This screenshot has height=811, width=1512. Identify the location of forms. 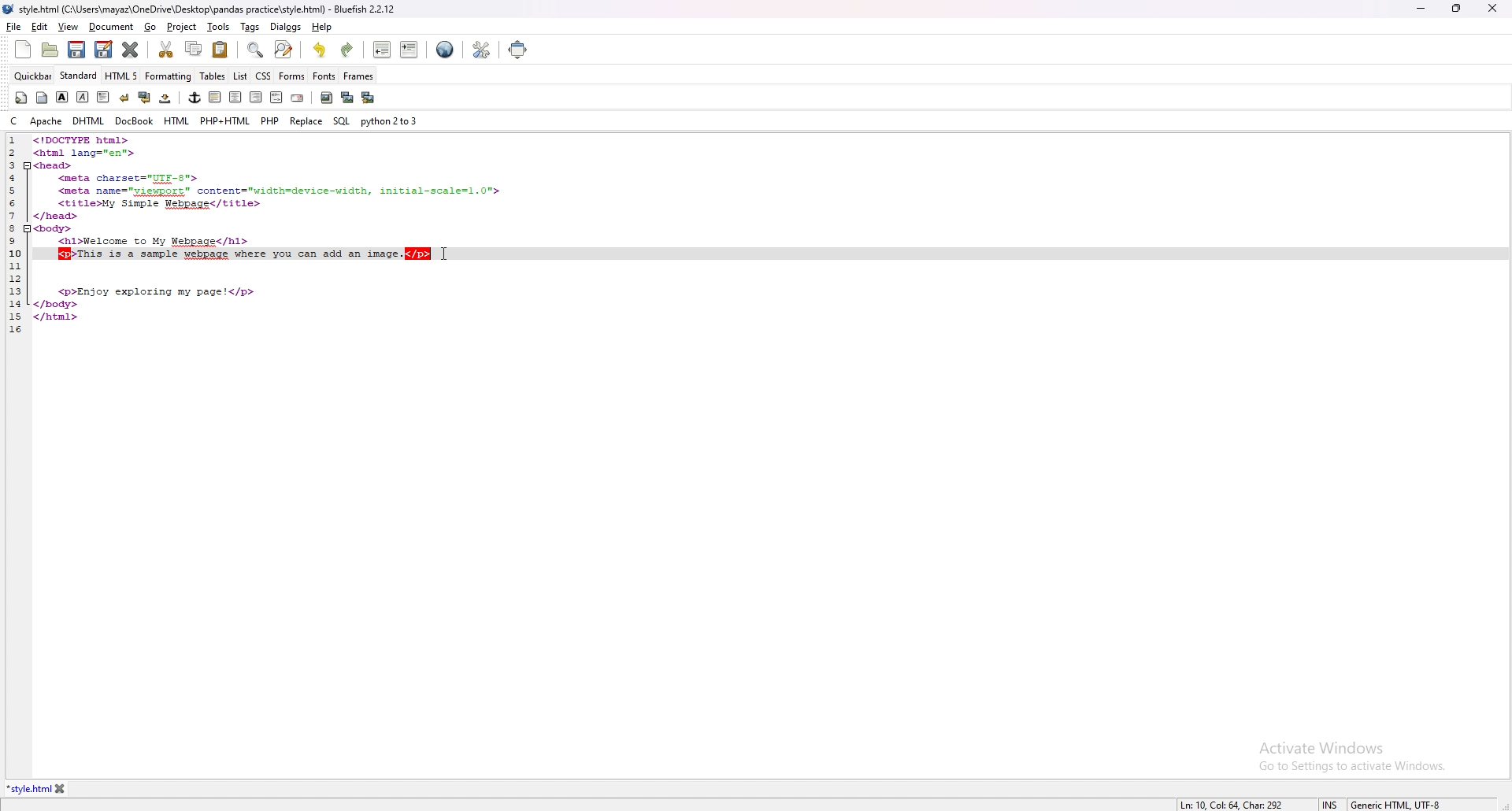
(291, 76).